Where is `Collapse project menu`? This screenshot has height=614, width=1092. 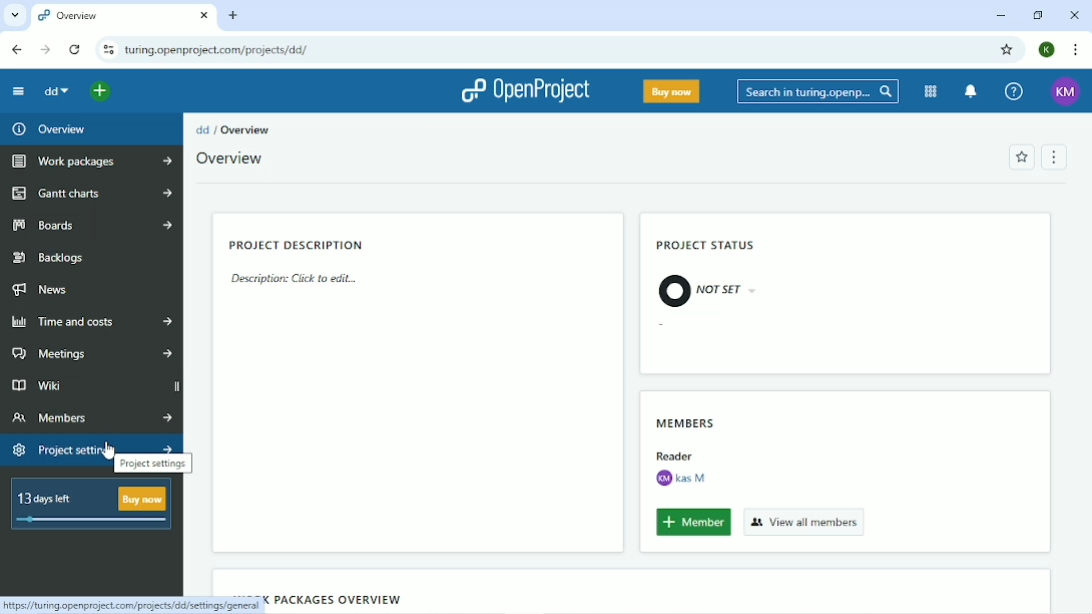
Collapse project menu is located at coordinates (19, 92).